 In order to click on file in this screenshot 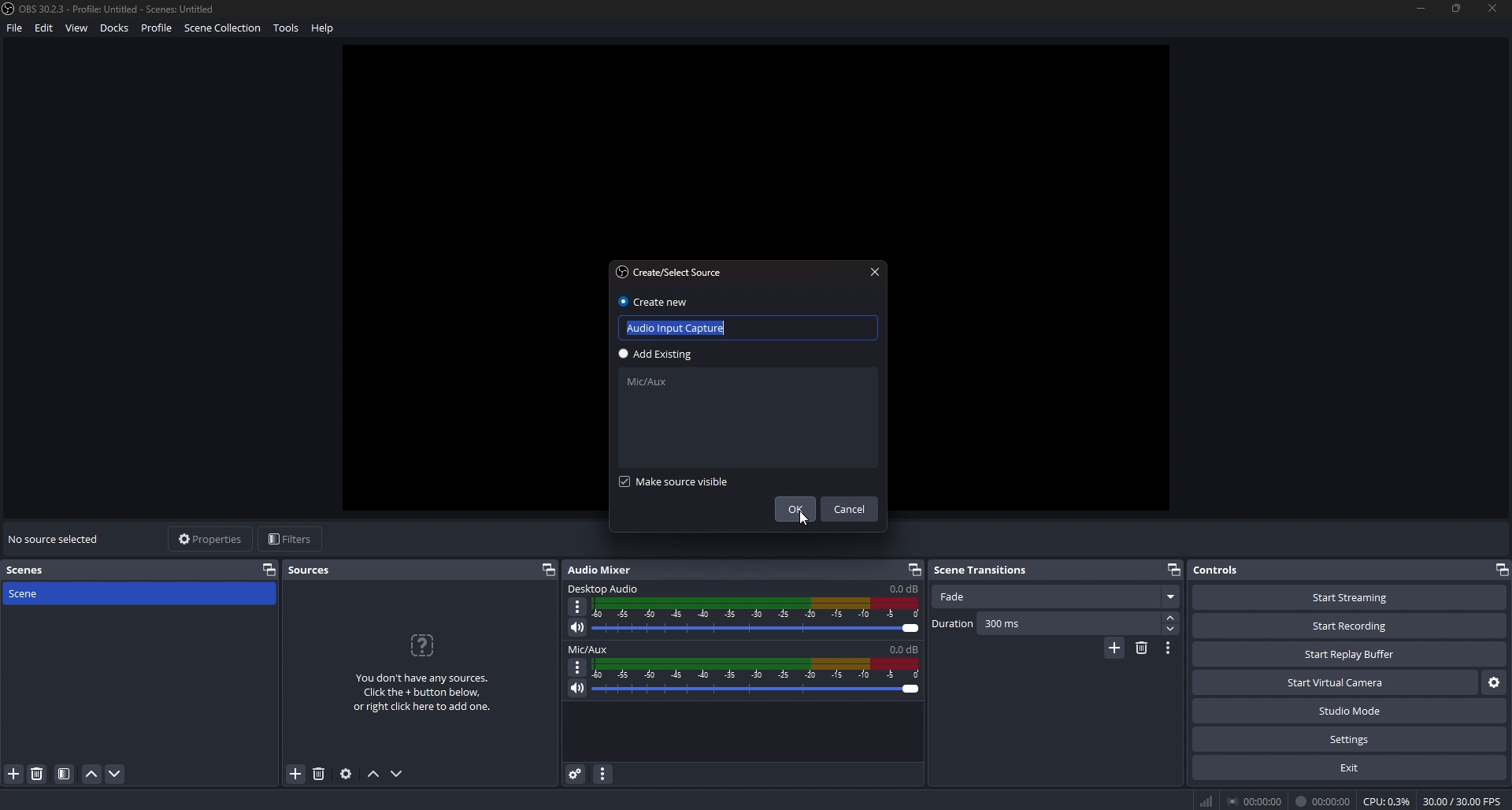, I will do `click(13, 32)`.